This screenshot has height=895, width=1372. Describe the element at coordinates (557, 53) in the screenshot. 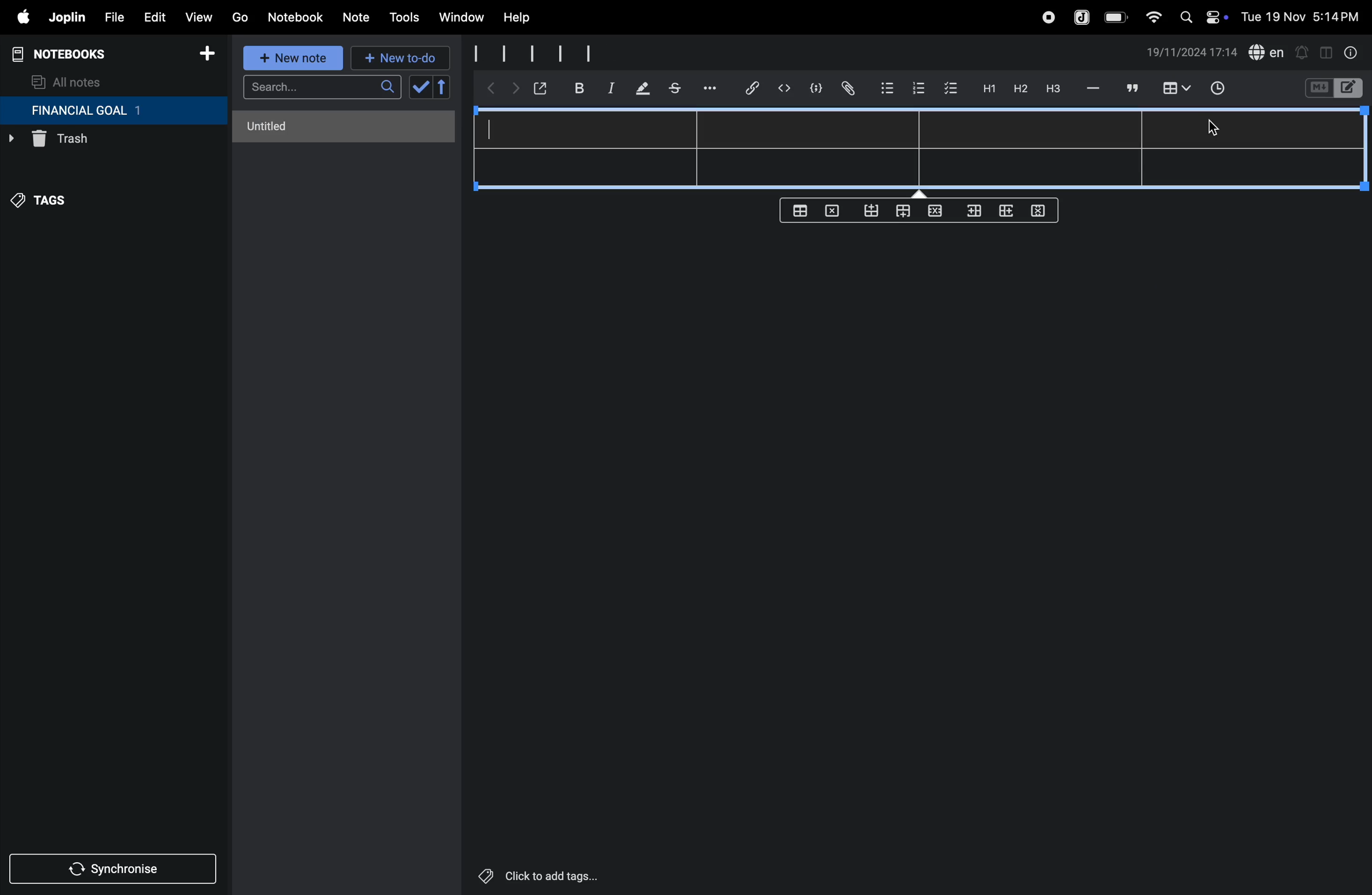

I see `creating new note` at that location.